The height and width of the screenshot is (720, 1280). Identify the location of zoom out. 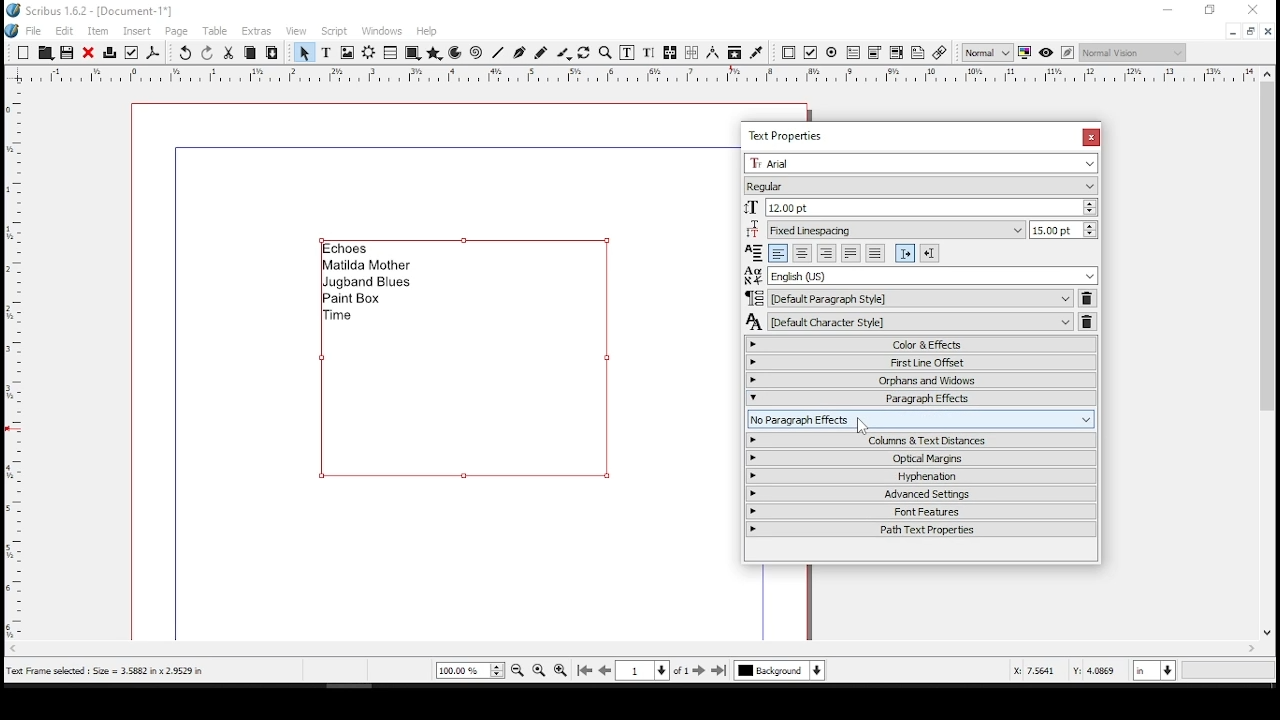
(517, 670).